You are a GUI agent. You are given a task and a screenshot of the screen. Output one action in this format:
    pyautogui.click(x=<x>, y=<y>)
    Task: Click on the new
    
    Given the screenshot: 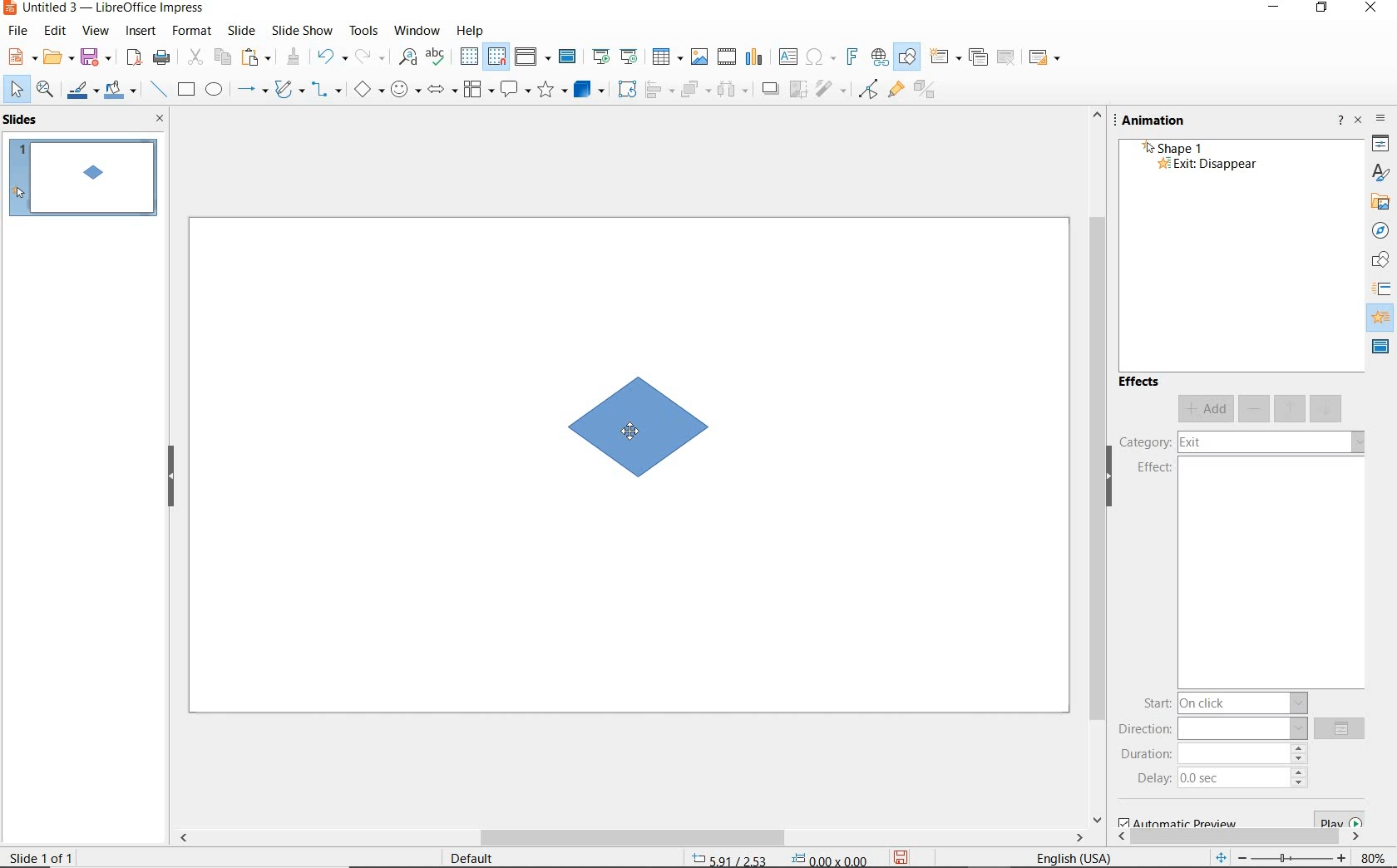 What is the action you would take?
    pyautogui.click(x=21, y=56)
    